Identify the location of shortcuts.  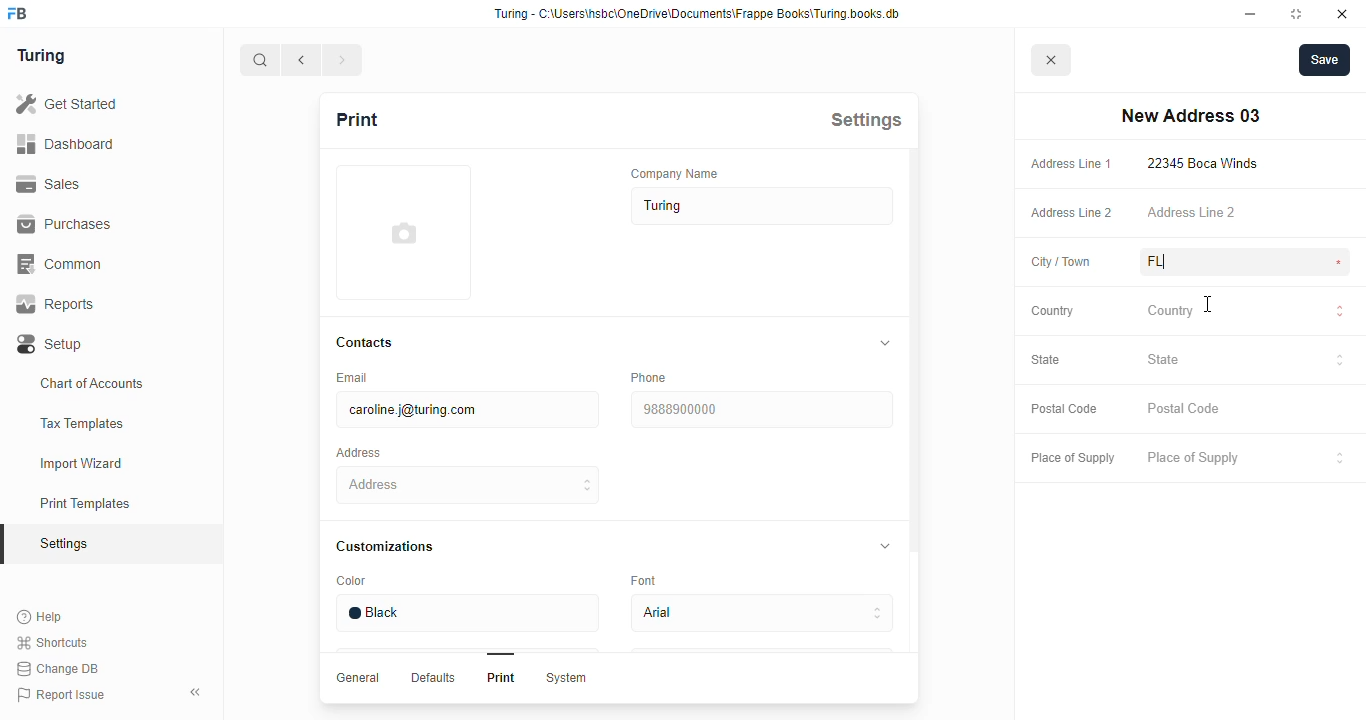
(52, 643).